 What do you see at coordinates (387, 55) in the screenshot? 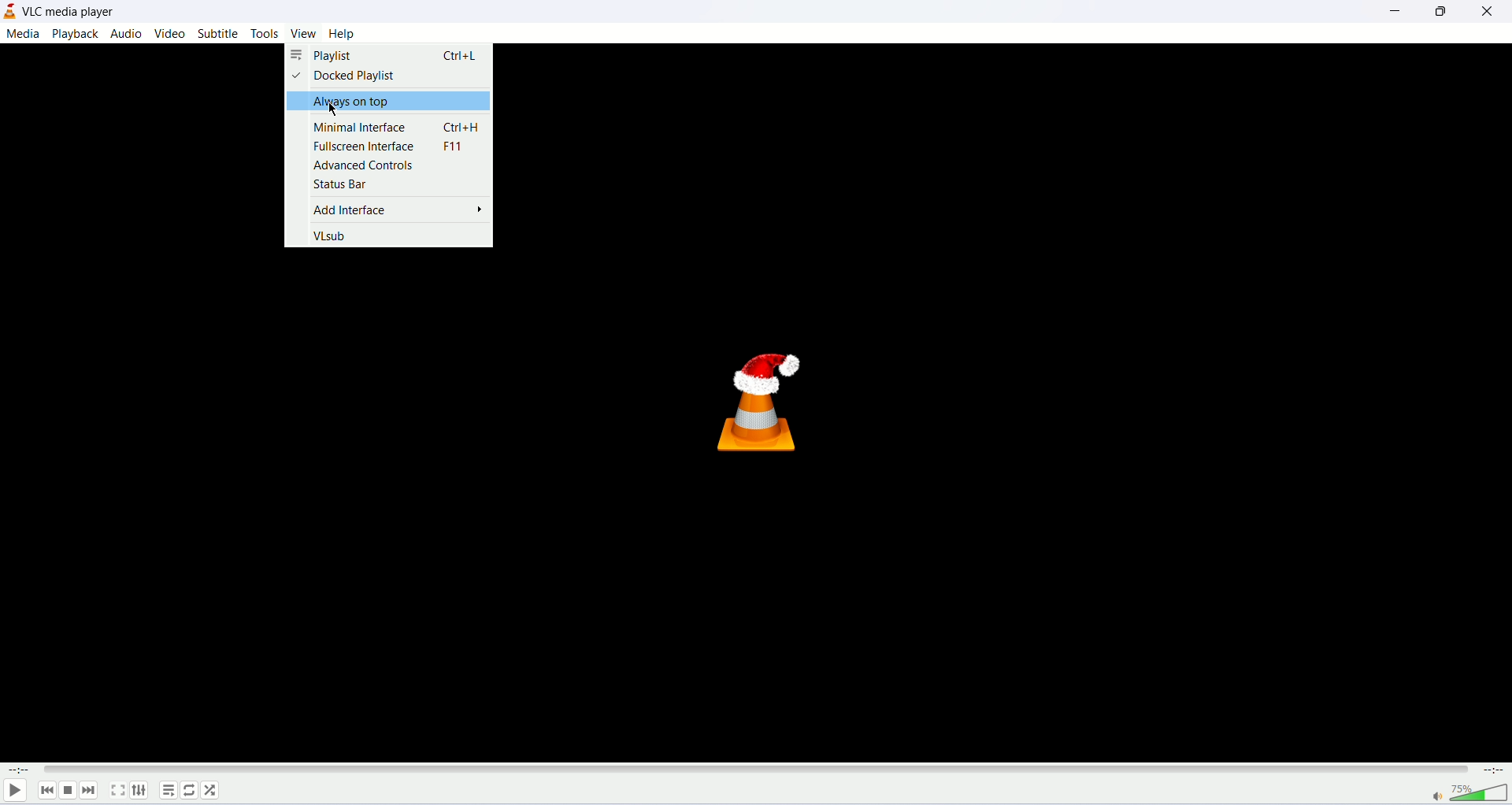
I see `playlist` at bounding box center [387, 55].